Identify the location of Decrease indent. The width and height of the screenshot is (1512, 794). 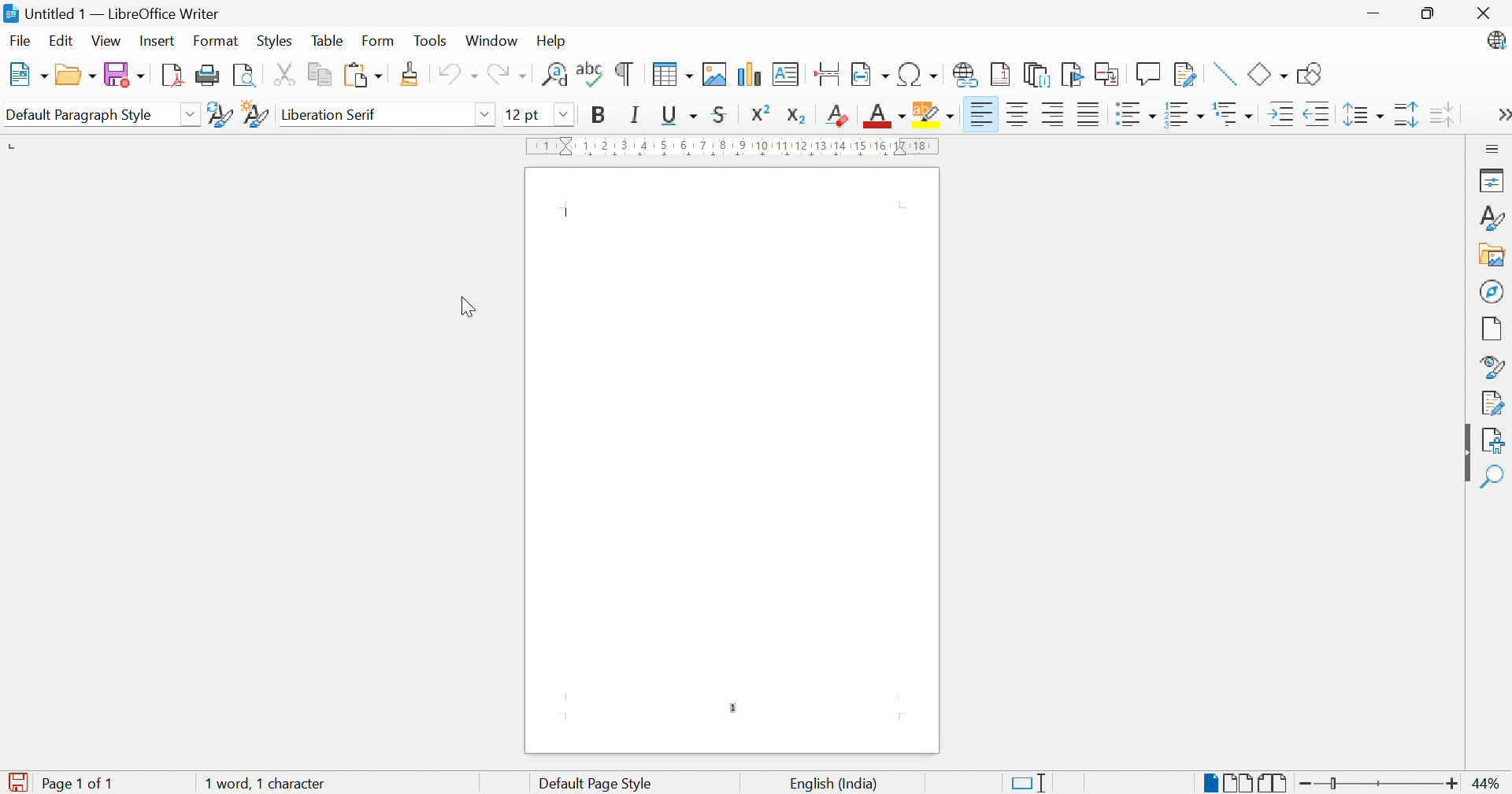
(1317, 114).